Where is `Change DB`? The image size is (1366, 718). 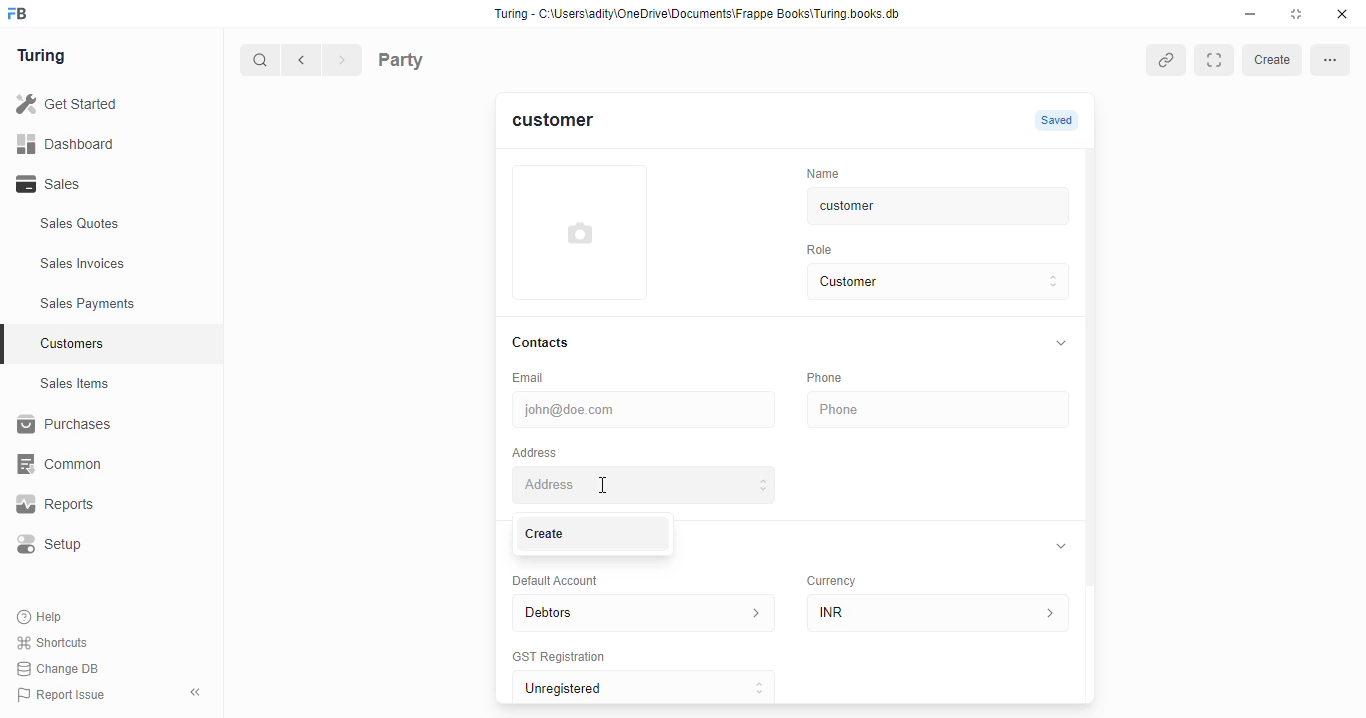
Change DB is located at coordinates (62, 668).